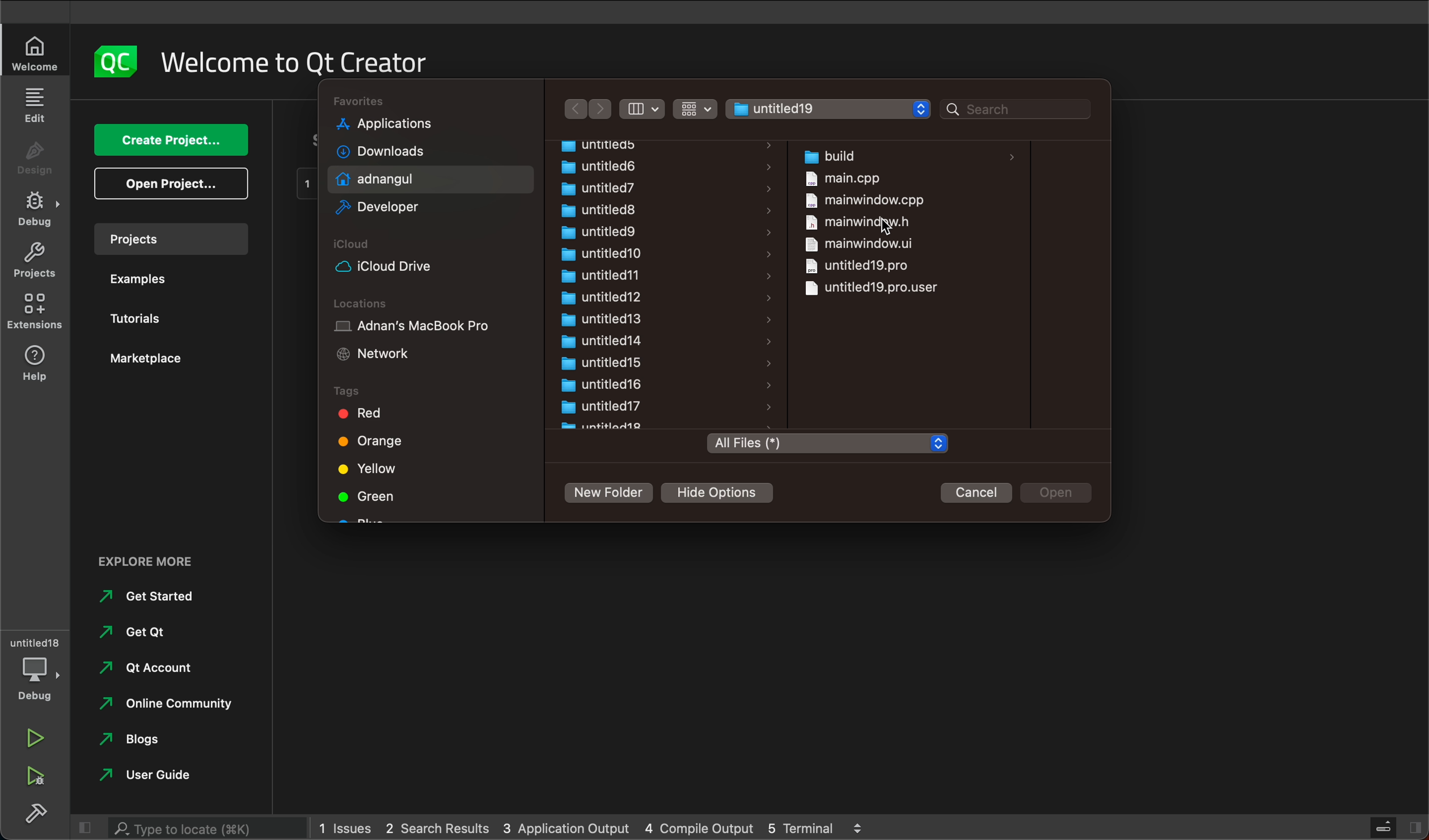 The width and height of the screenshot is (1429, 840). I want to click on search , so click(206, 828).